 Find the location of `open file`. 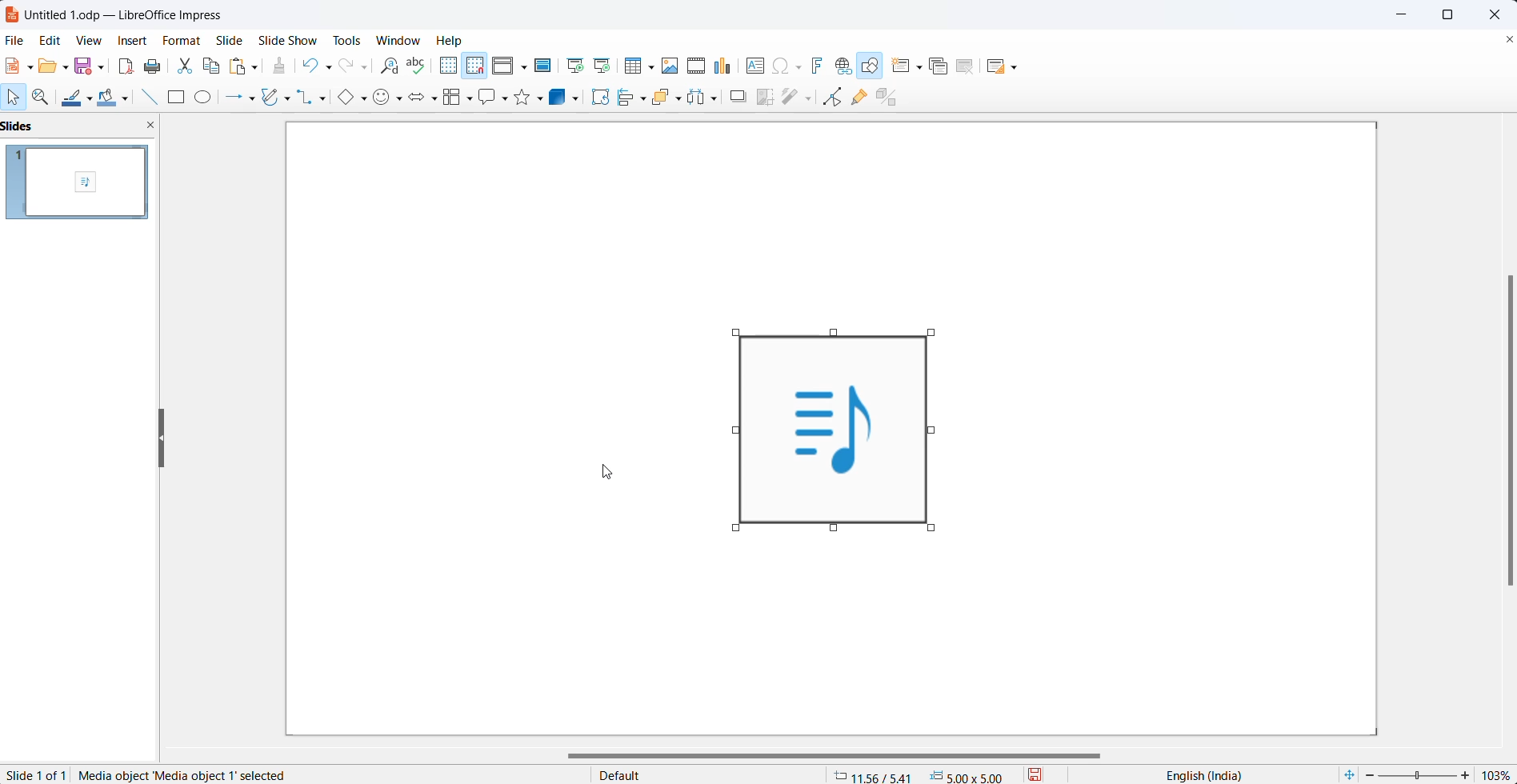

open file is located at coordinates (48, 67).